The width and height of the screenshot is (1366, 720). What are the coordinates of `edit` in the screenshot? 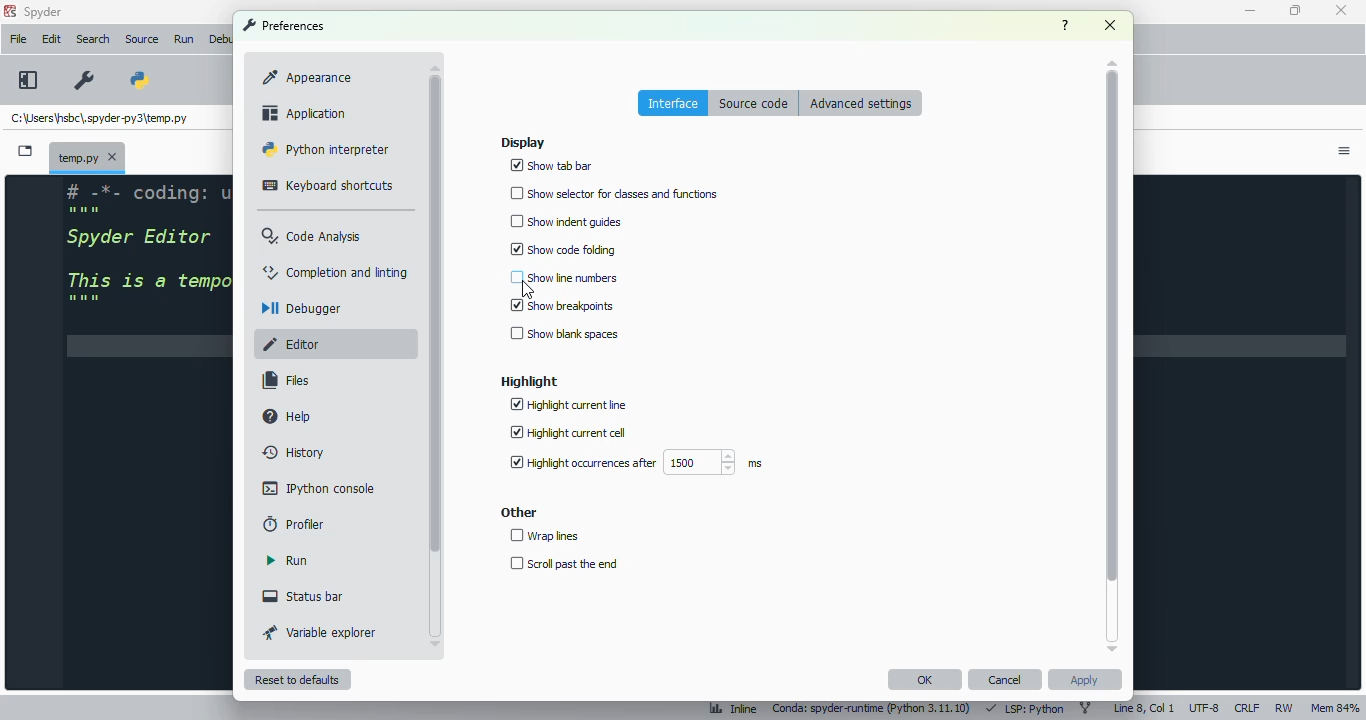 It's located at (51, 39).